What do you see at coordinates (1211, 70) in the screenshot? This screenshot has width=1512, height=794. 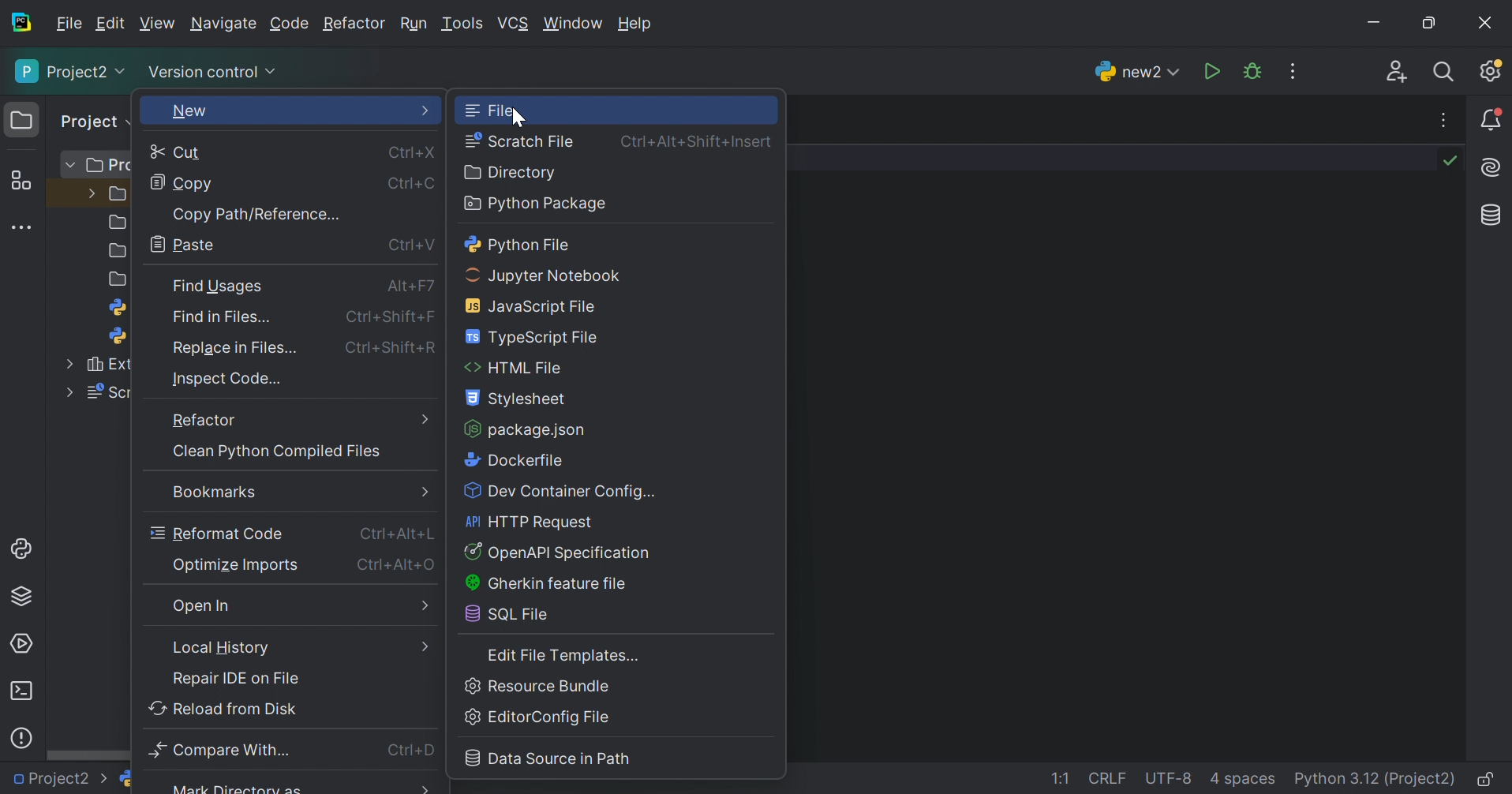 I see `Run` at bounding box center [1211, 70].